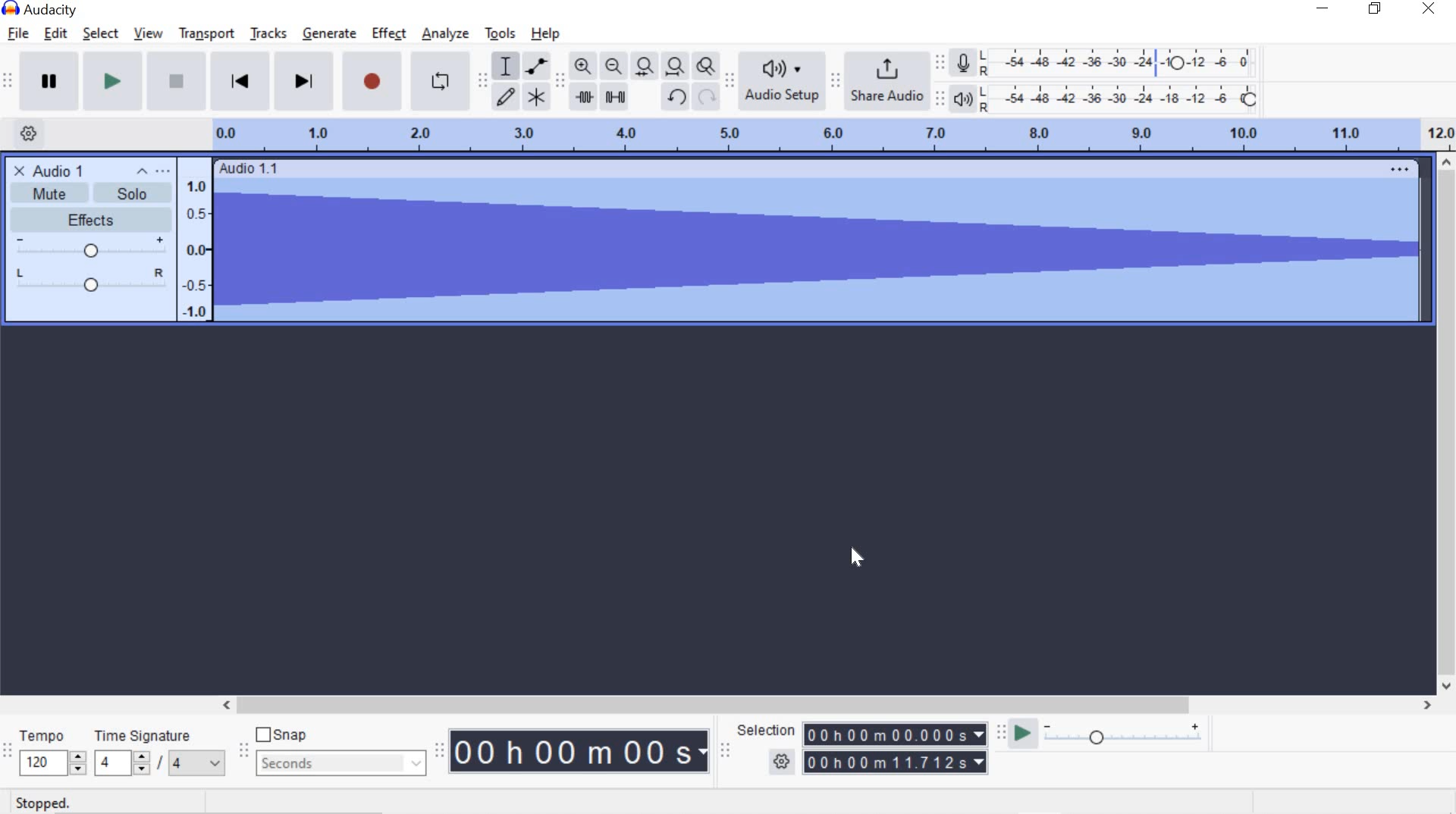 Image resolution: width=1456 pixels, height=814 pixels. What do you see at coordinates (8, 753) in the screenshot?
I see `Time signature toolbar` at bounding box center [8, 753].